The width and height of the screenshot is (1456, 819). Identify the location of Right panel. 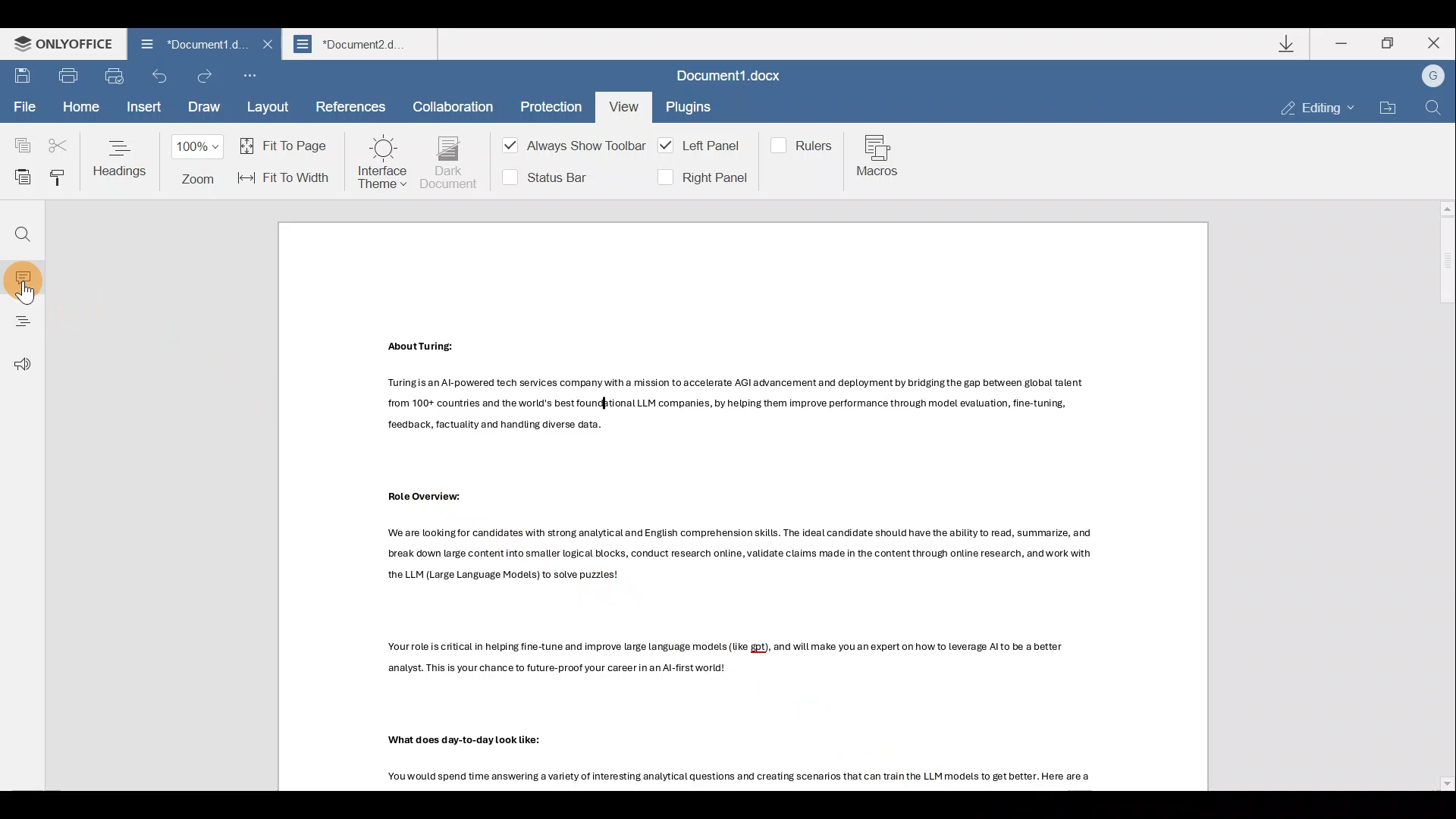
(701, 177).